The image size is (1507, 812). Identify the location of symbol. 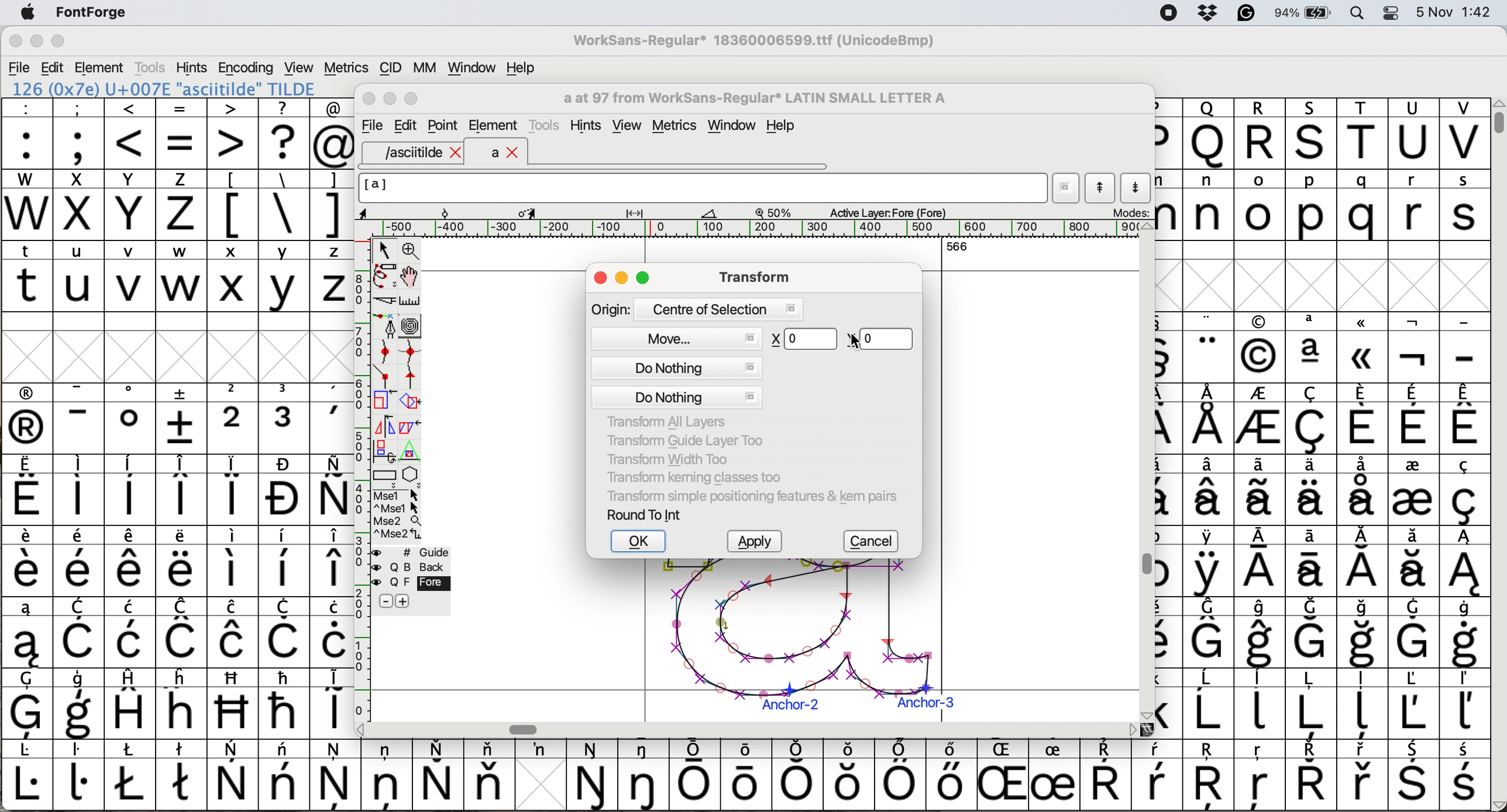
(438, 775).